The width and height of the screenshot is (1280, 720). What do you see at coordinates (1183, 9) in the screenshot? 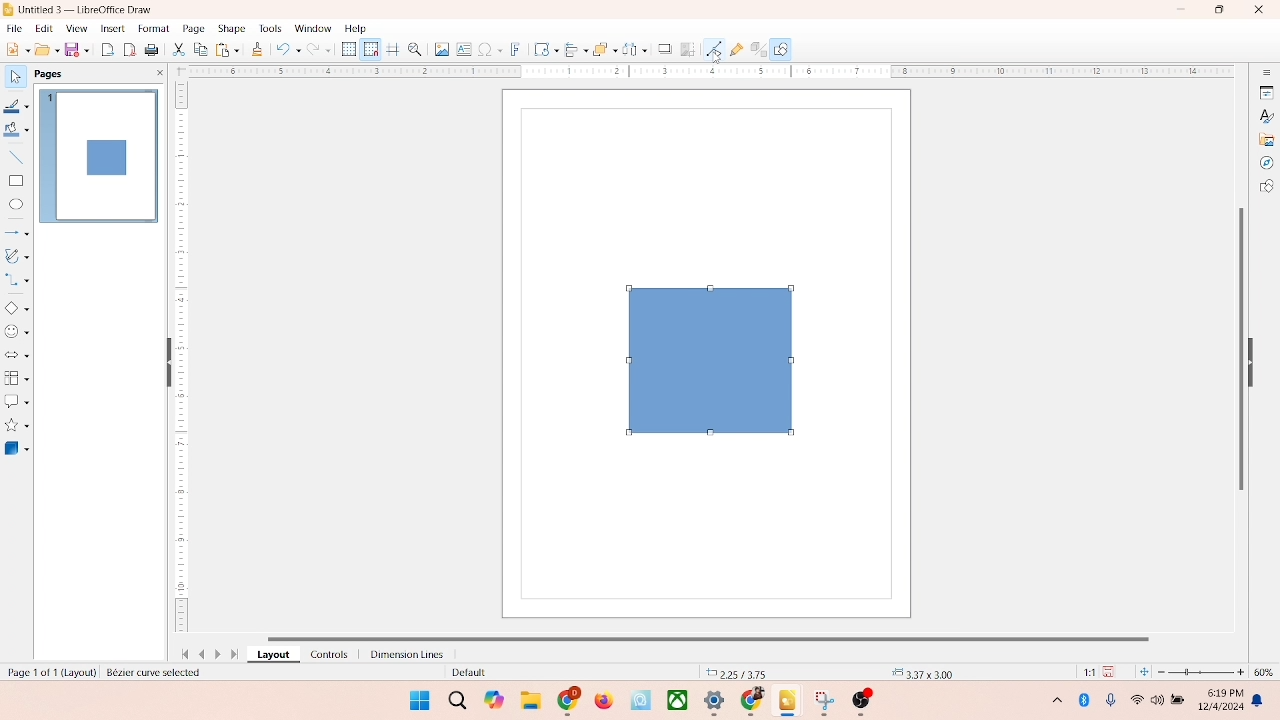
I see `minimize` at bounding box center [1183, 9].